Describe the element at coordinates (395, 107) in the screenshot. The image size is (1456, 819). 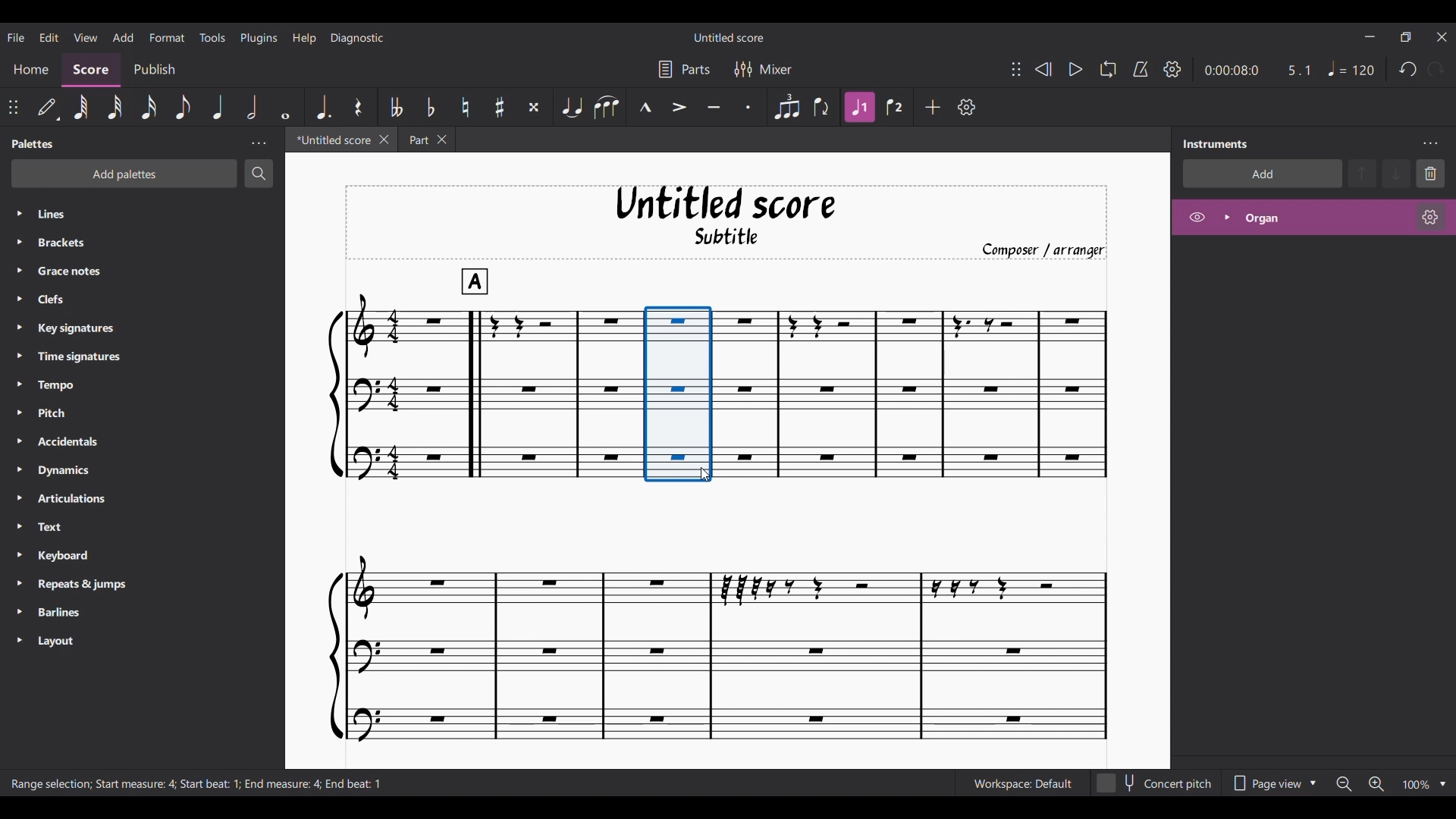
I see `Toggle double flat` at that location.